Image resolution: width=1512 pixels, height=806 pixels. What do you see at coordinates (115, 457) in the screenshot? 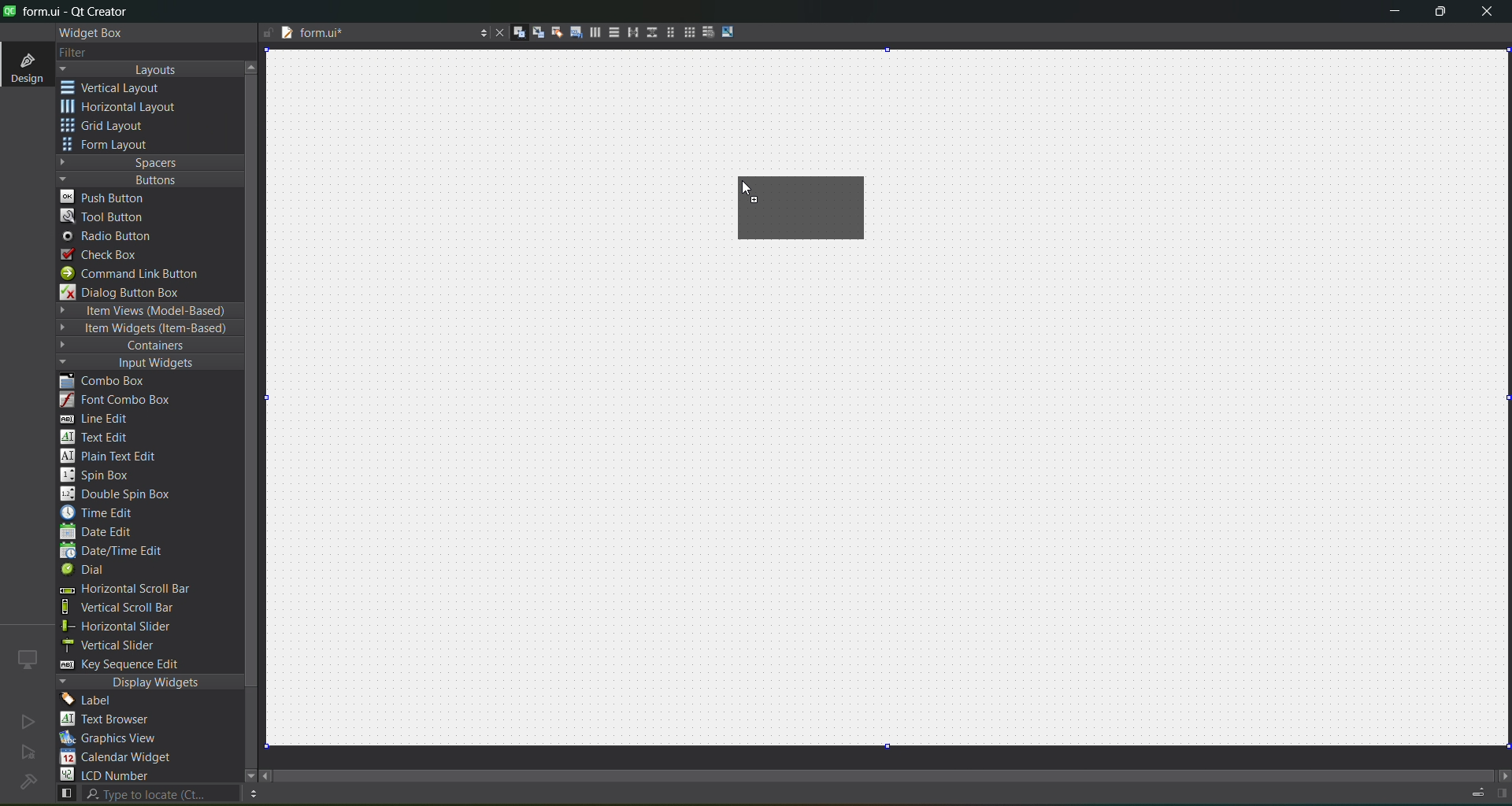
I see `plain text edit` at bounding box center [115, 457].